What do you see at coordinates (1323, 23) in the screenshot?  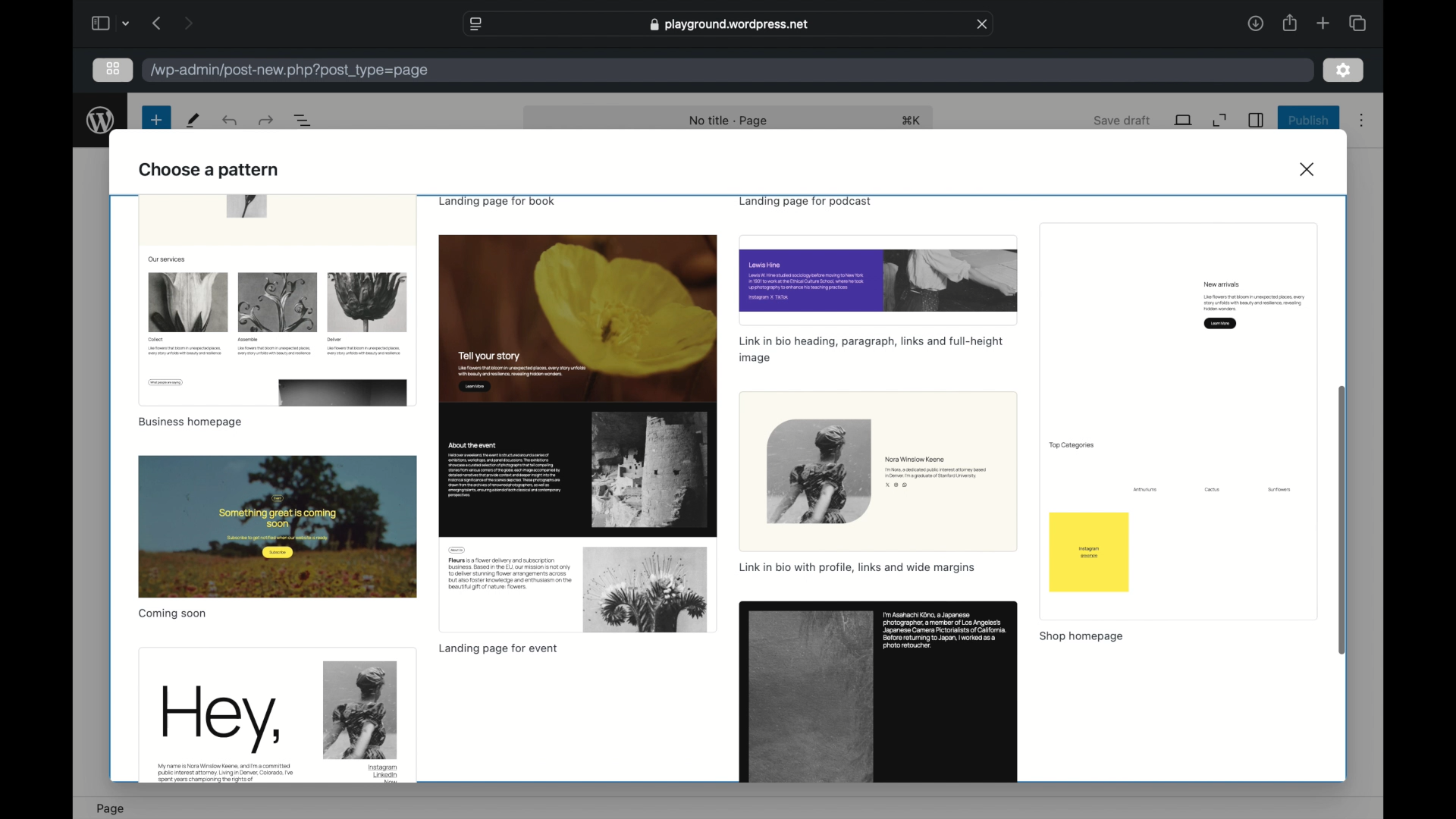 I see `new tab` at bounding box center [1323, 23].